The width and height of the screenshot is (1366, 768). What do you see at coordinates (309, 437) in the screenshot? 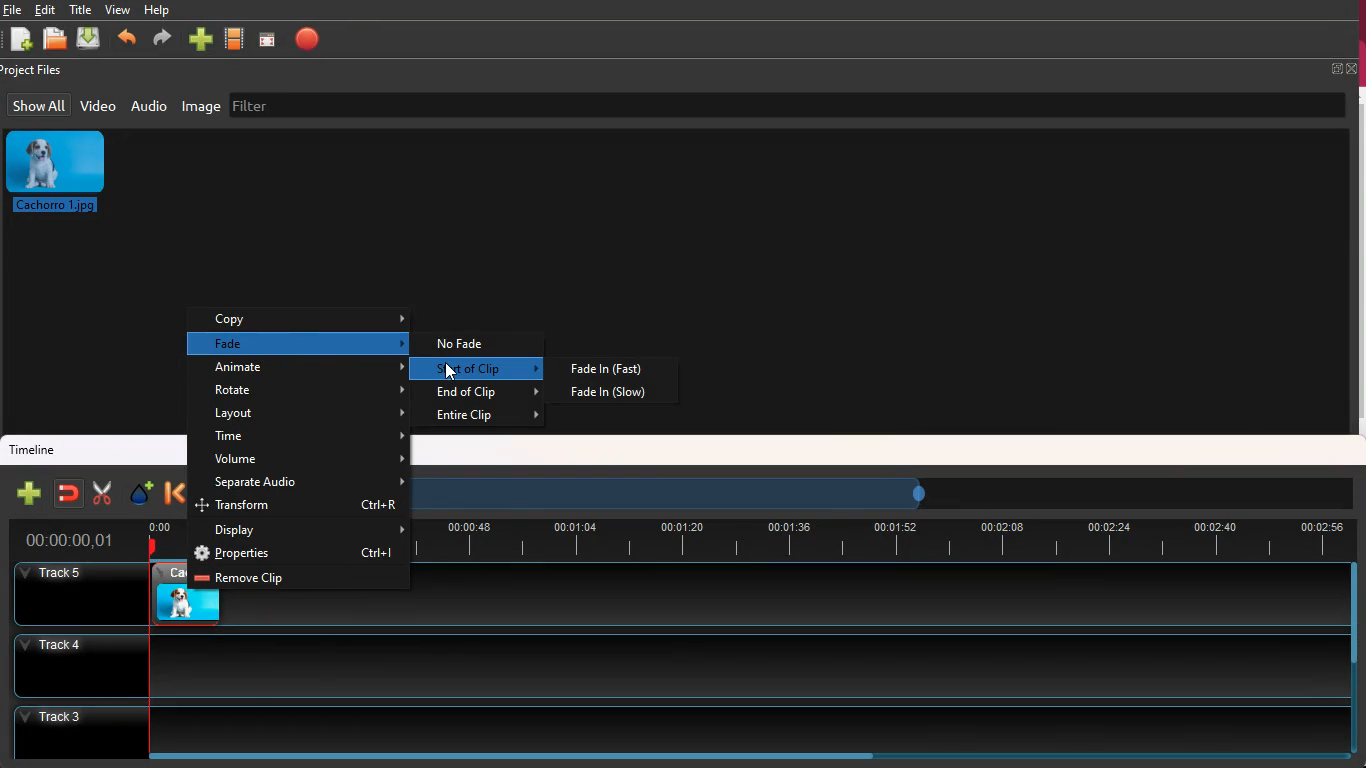
I see `time` at bounding box center [309, 437].